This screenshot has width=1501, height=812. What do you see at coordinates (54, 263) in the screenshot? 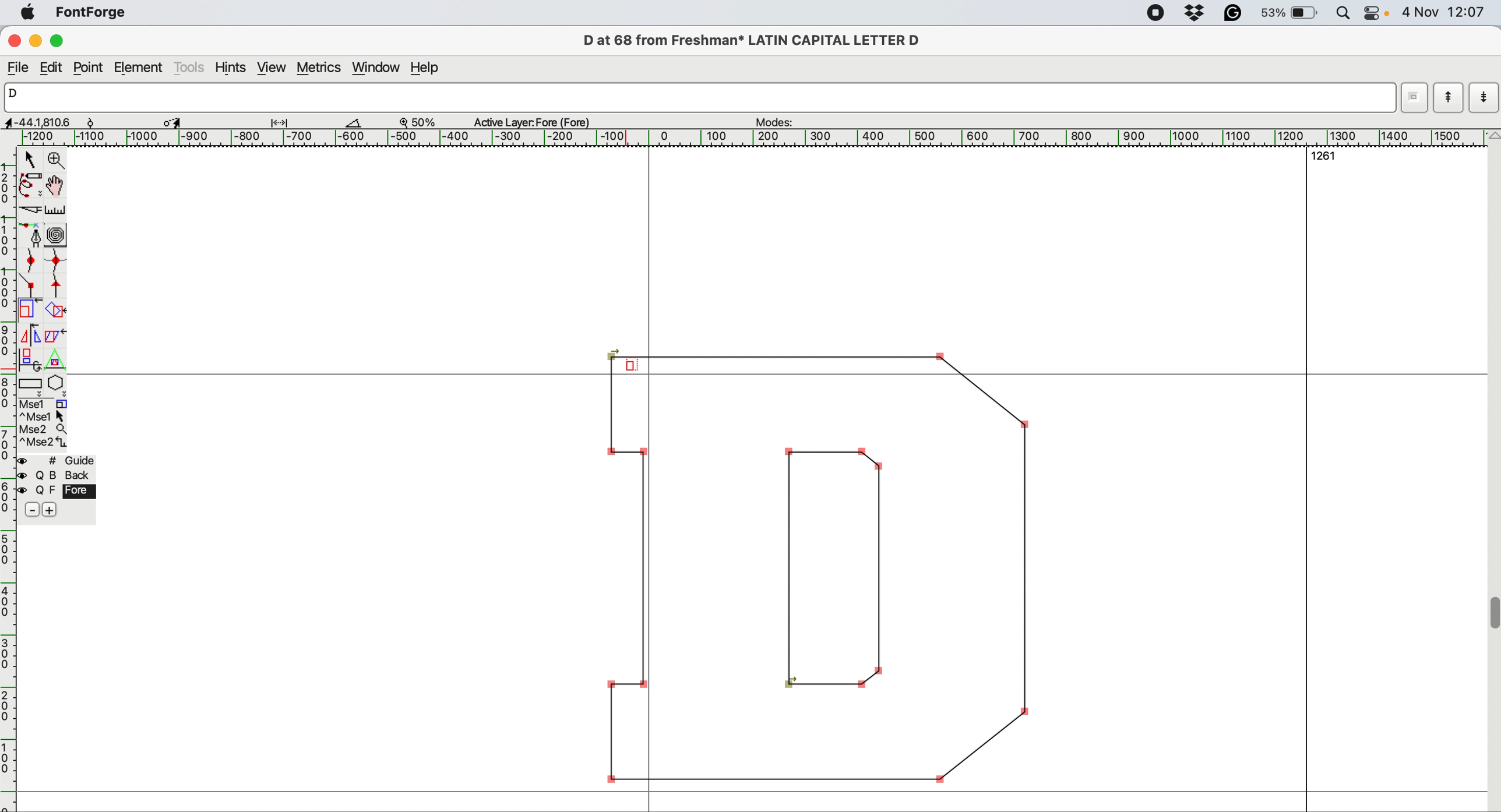
I see `add a curve point horizontally or vertically` at bounding box center [54, 263].